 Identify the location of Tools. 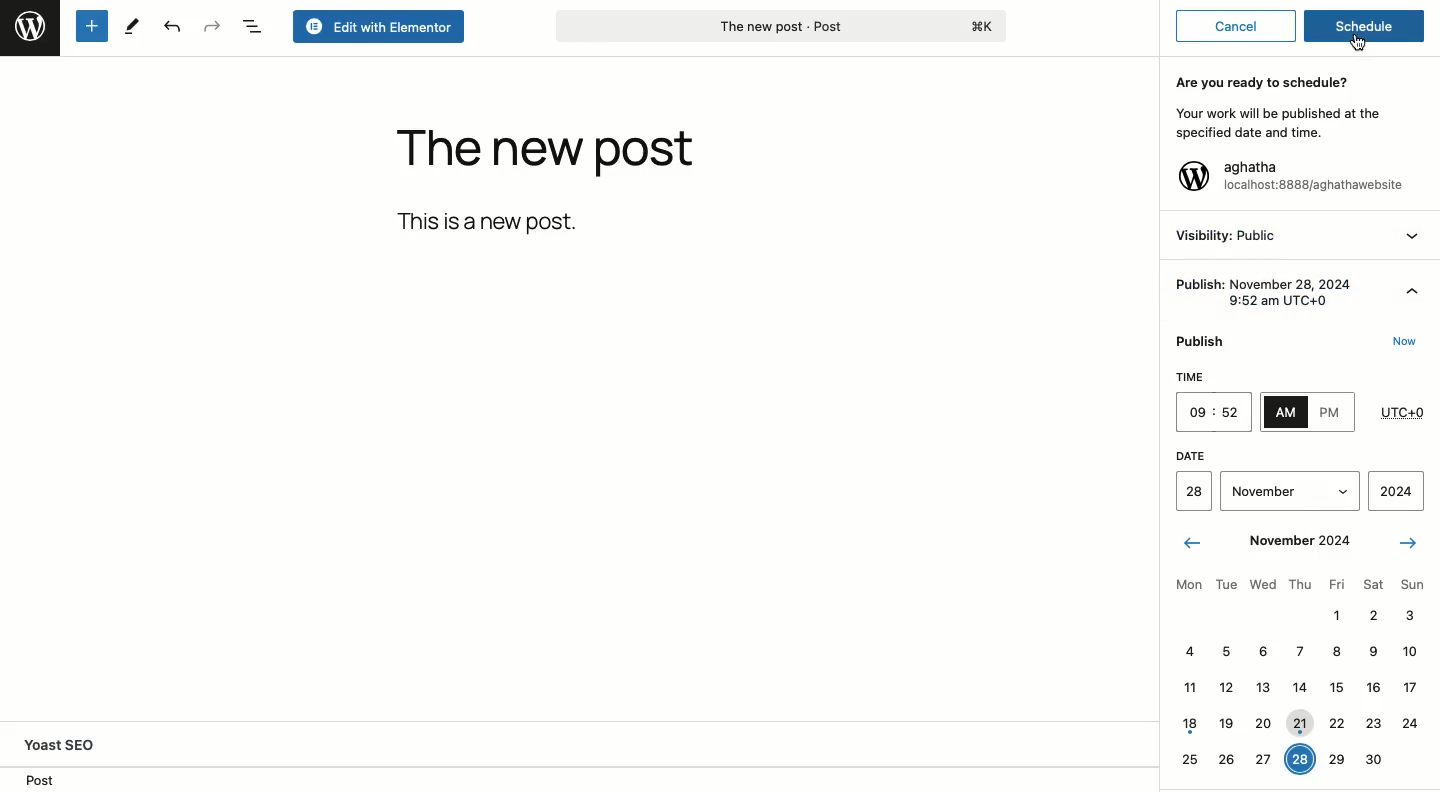
(132, 25).